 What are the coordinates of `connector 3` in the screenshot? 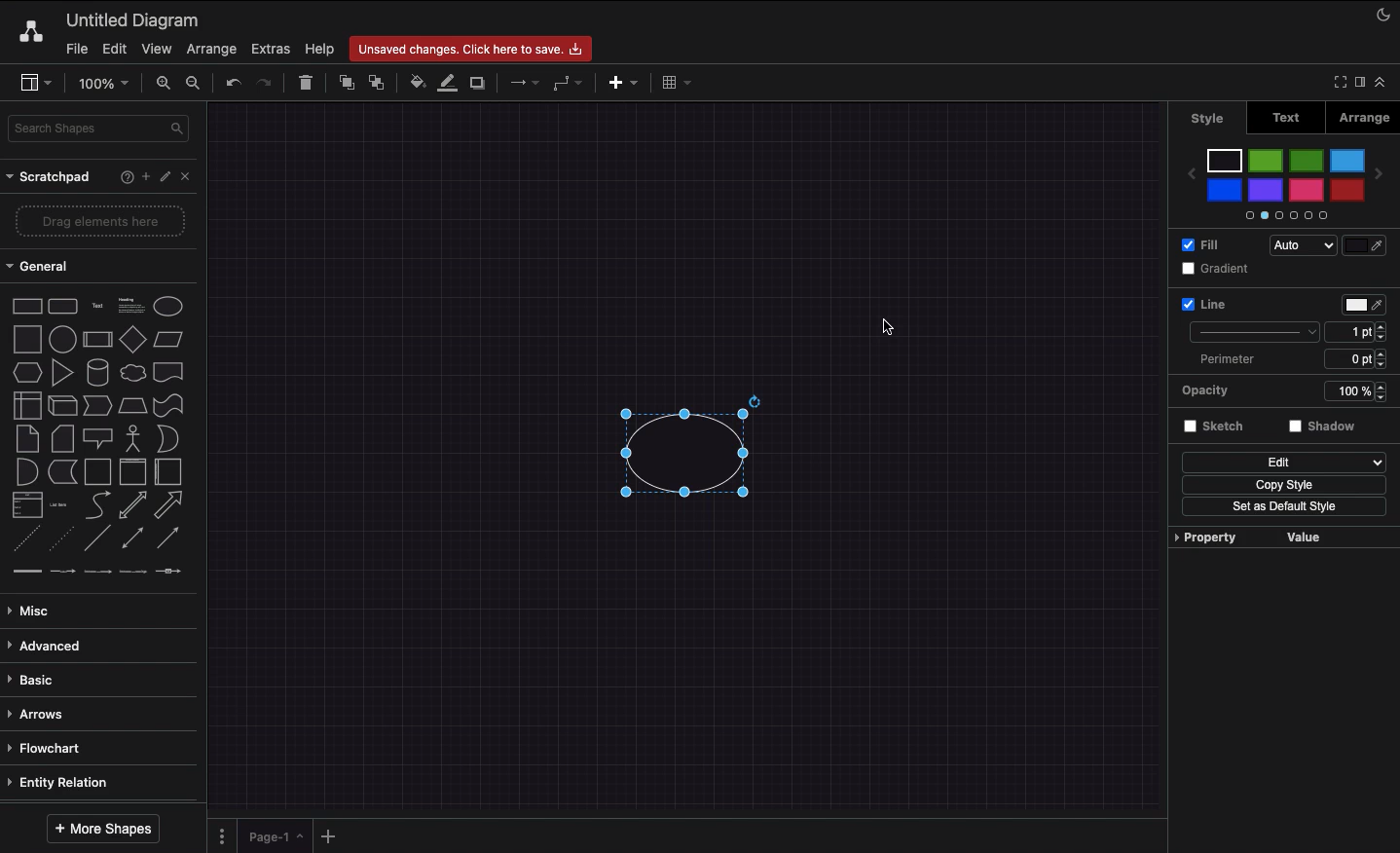 It's located at (95, 571).